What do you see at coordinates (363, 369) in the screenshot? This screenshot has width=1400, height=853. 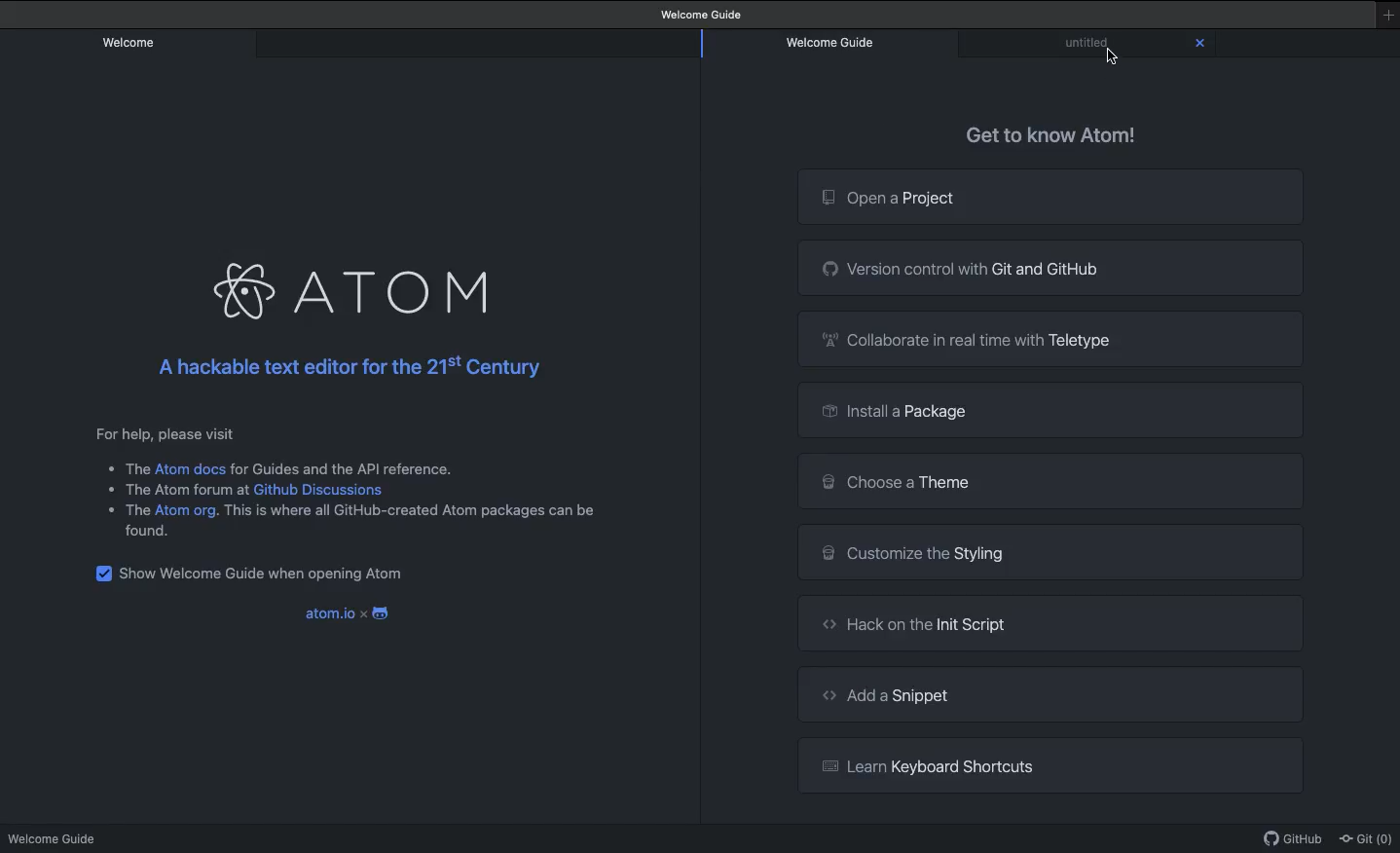 I see `A hackable text editor ` at bounding box center [363, 369].